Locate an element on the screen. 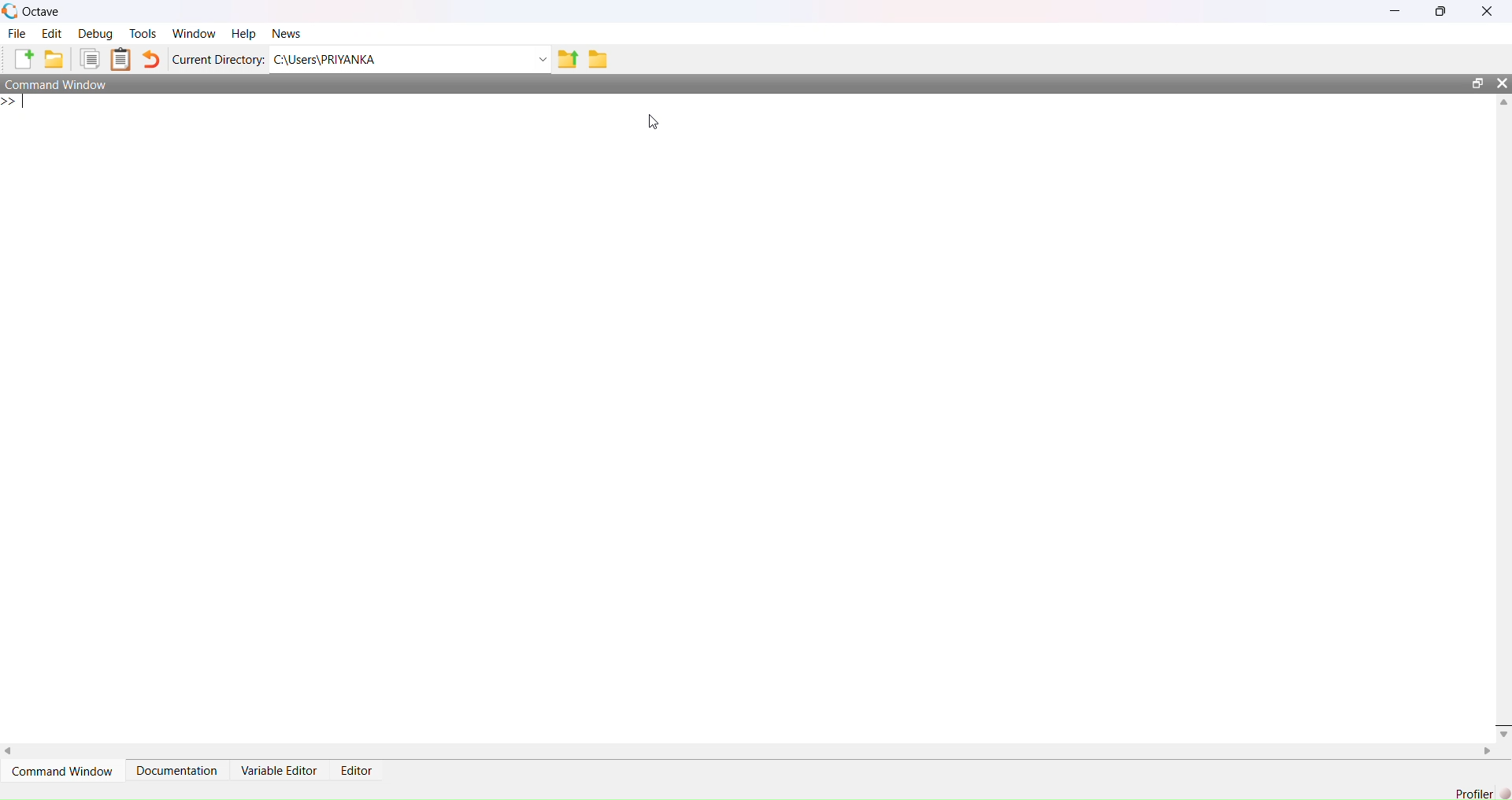 The width and height of the screenshot is (1512, 800). Profiler is located at coordinates (1478, 791).